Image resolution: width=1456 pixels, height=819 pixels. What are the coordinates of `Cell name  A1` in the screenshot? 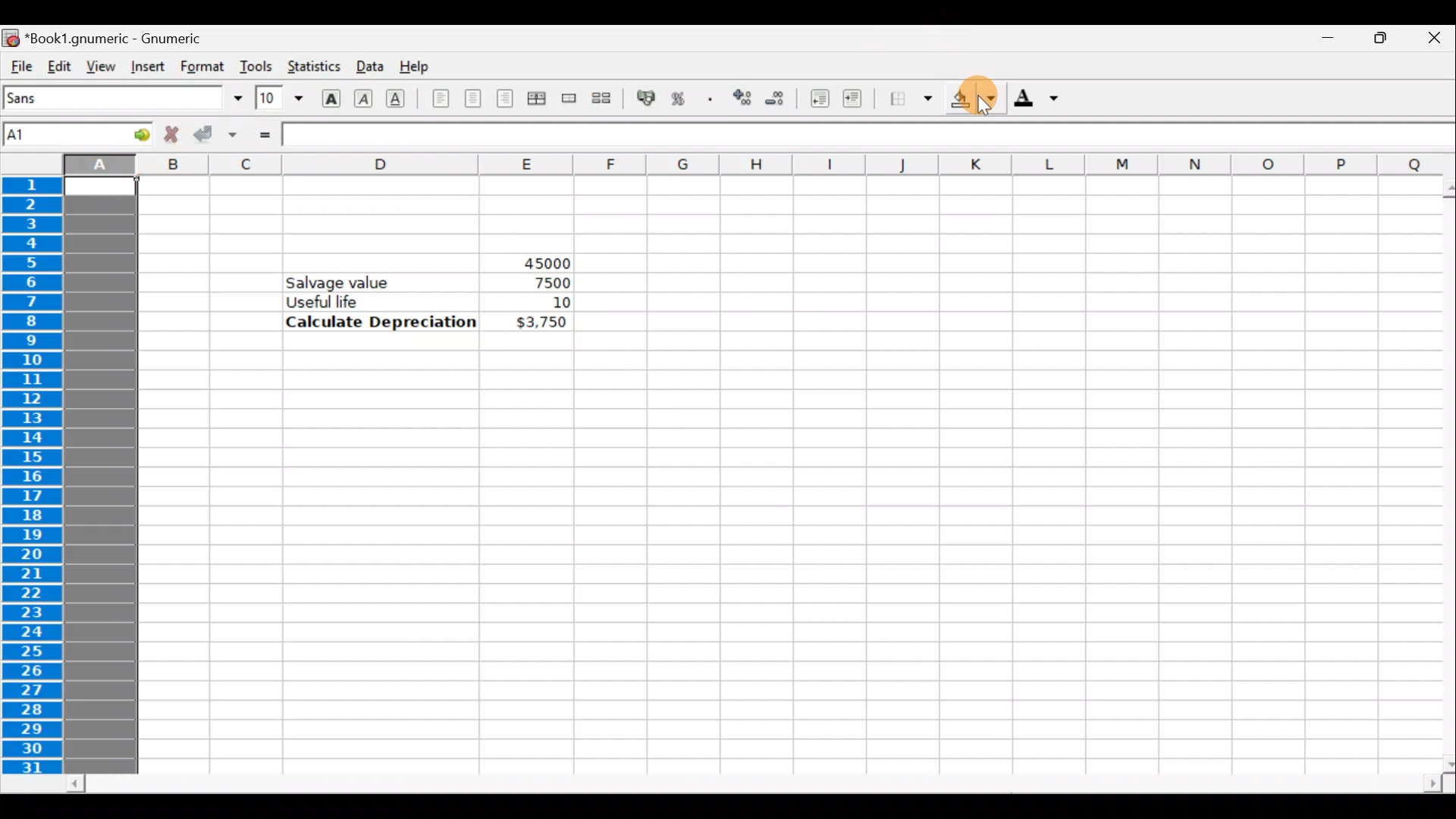 It's located at (54, 134).